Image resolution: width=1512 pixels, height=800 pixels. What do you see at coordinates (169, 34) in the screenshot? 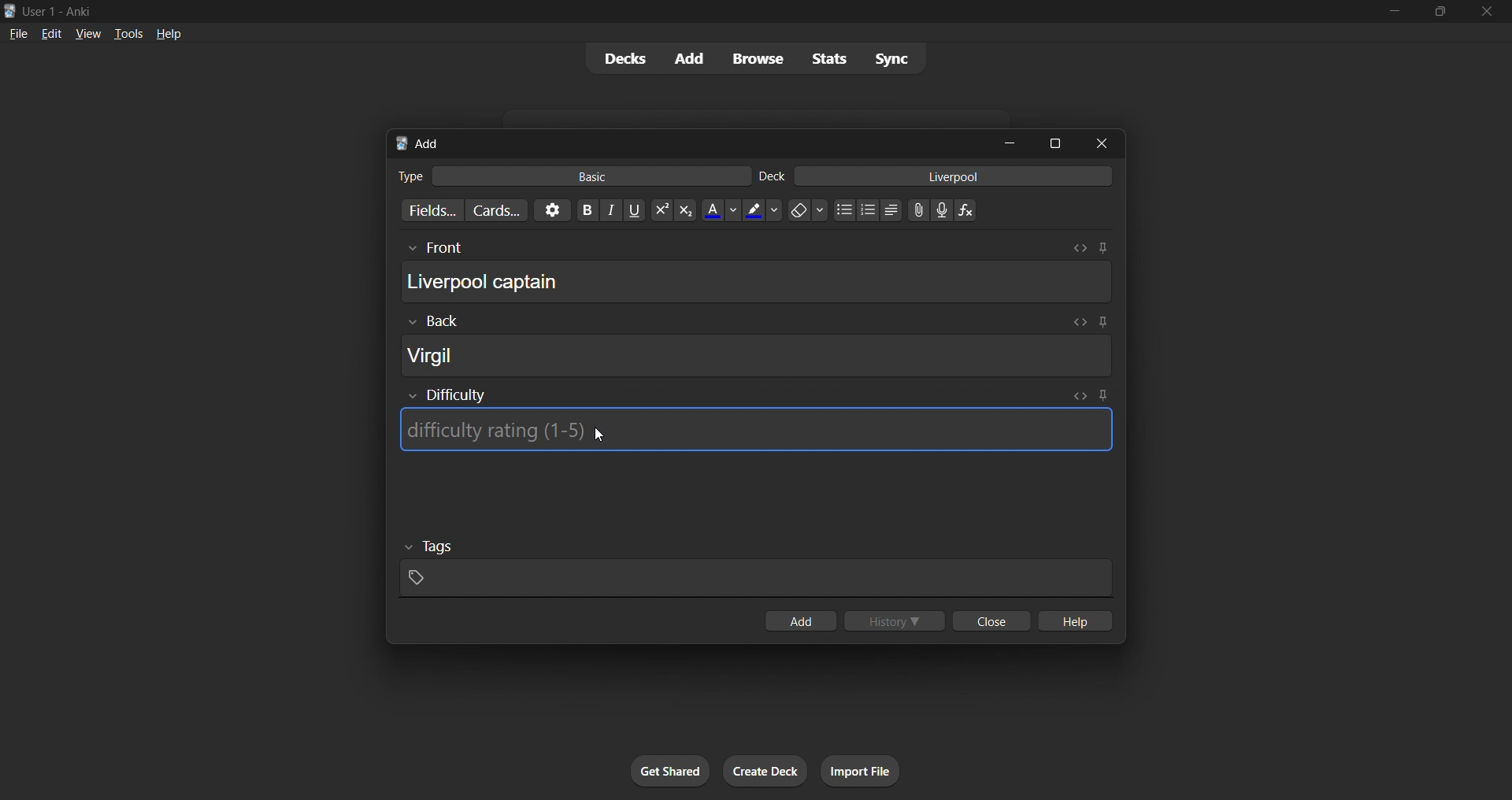
I see `help` at bounding box center [169, 34].